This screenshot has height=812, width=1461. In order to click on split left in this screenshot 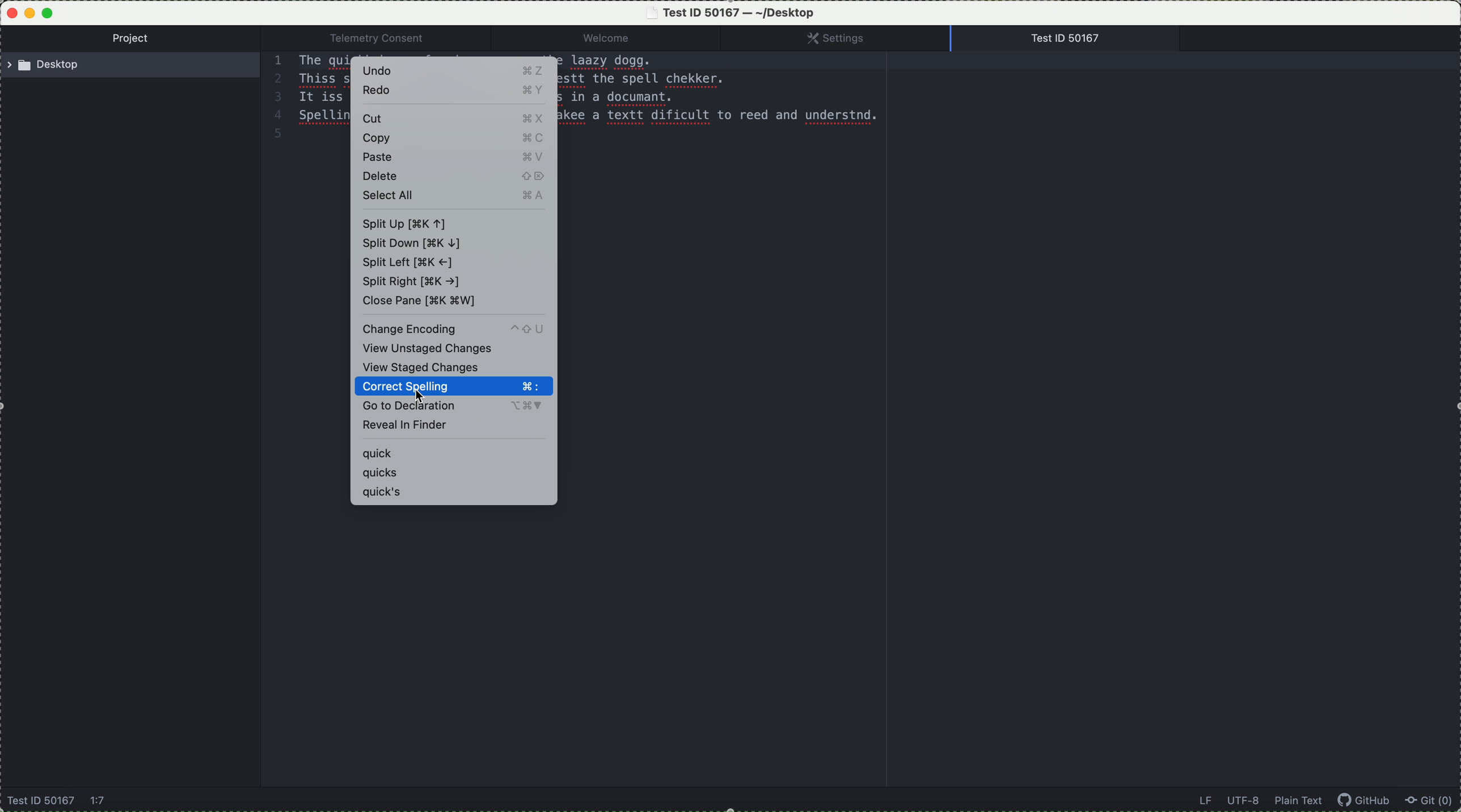, I will do `click(408, 263)`.